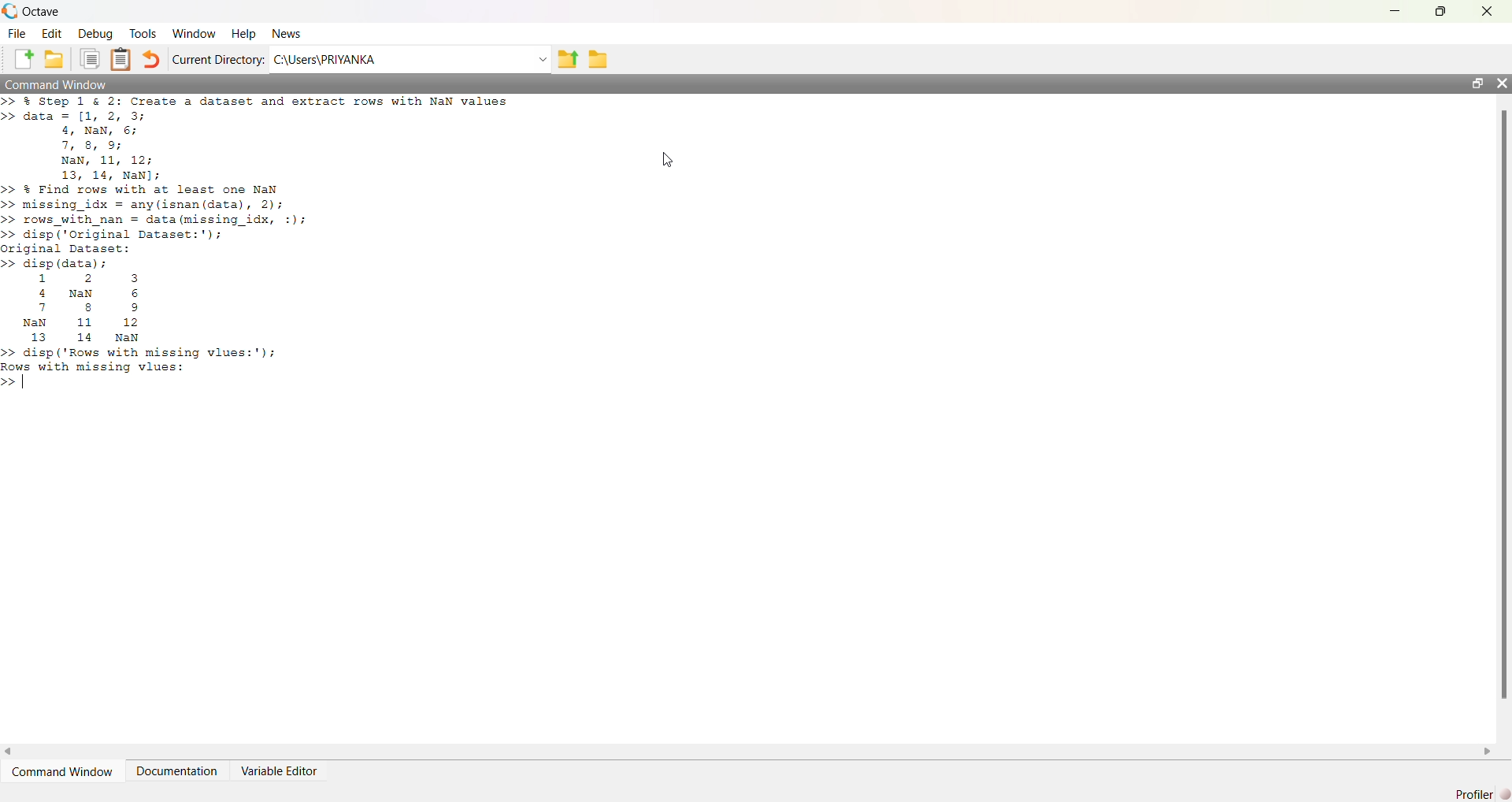 The image size is (1512, 802). Describe the element at coordinates (52, 34) in the screenshot. I see `Edit` at that location.